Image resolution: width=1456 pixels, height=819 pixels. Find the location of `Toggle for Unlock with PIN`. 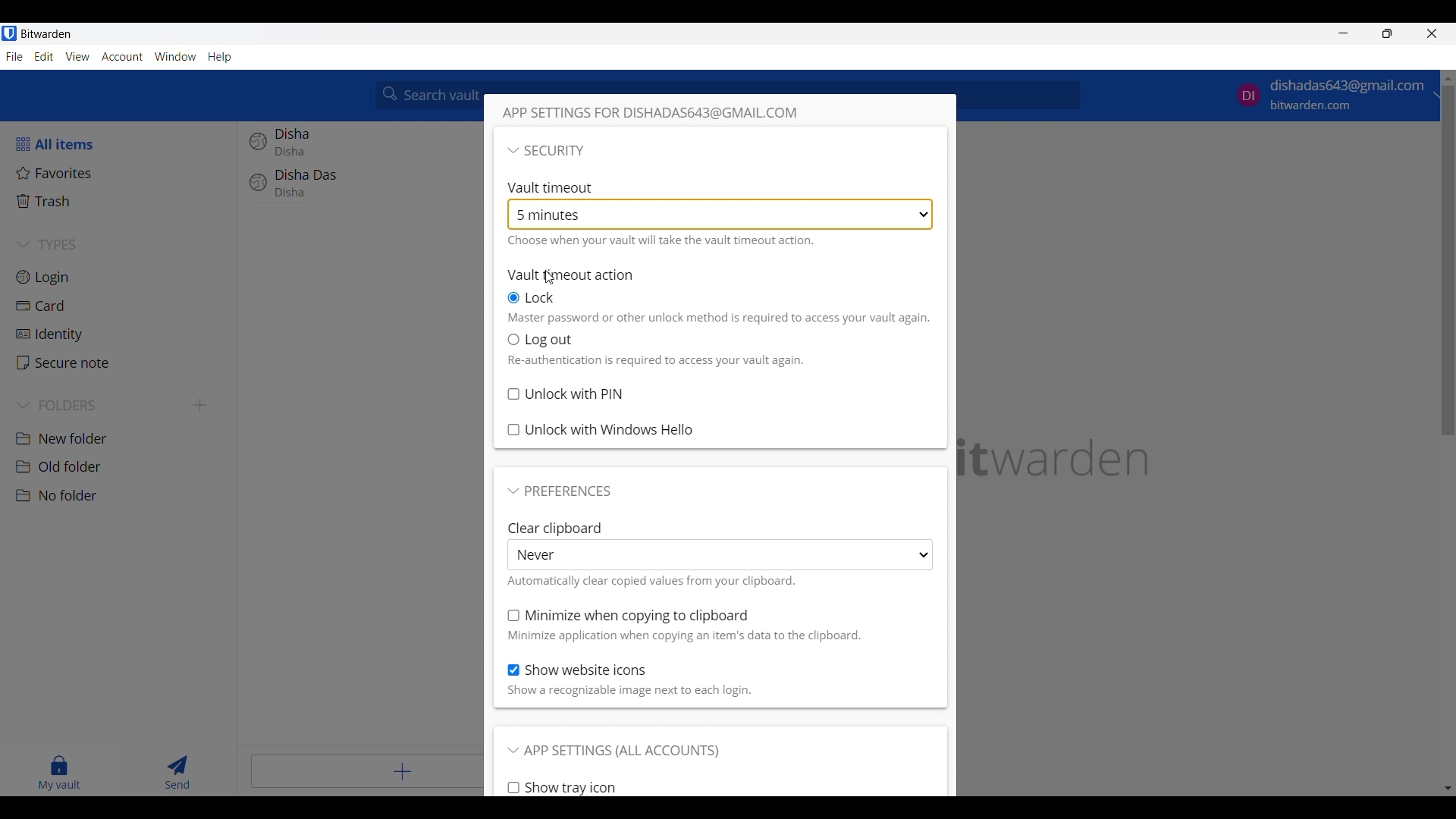

Toggle for Unlock with PIN is located at coordinates (565, 394).